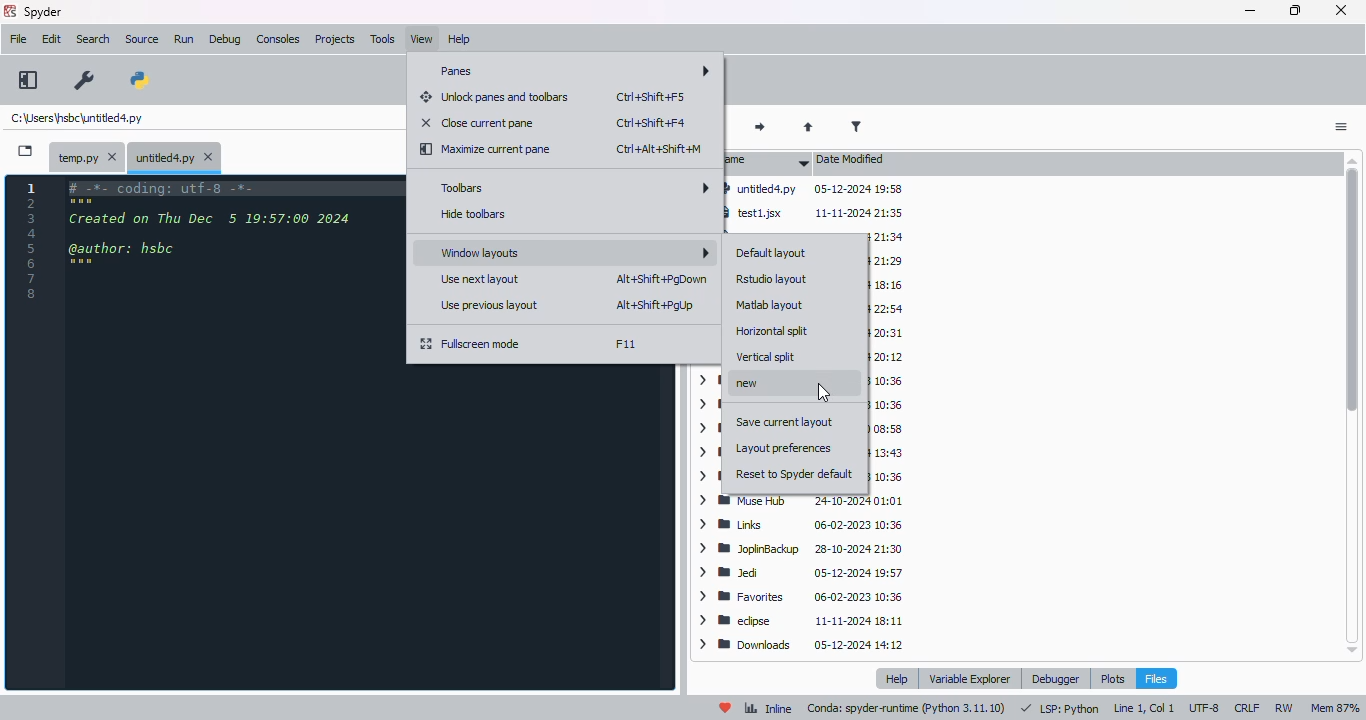 The width and height of the screenshot is (1366, 720). What do you see at coordinates (472, 344) in the screenshot?
I see `fullscreen mode` at bounding box center [472, 344].